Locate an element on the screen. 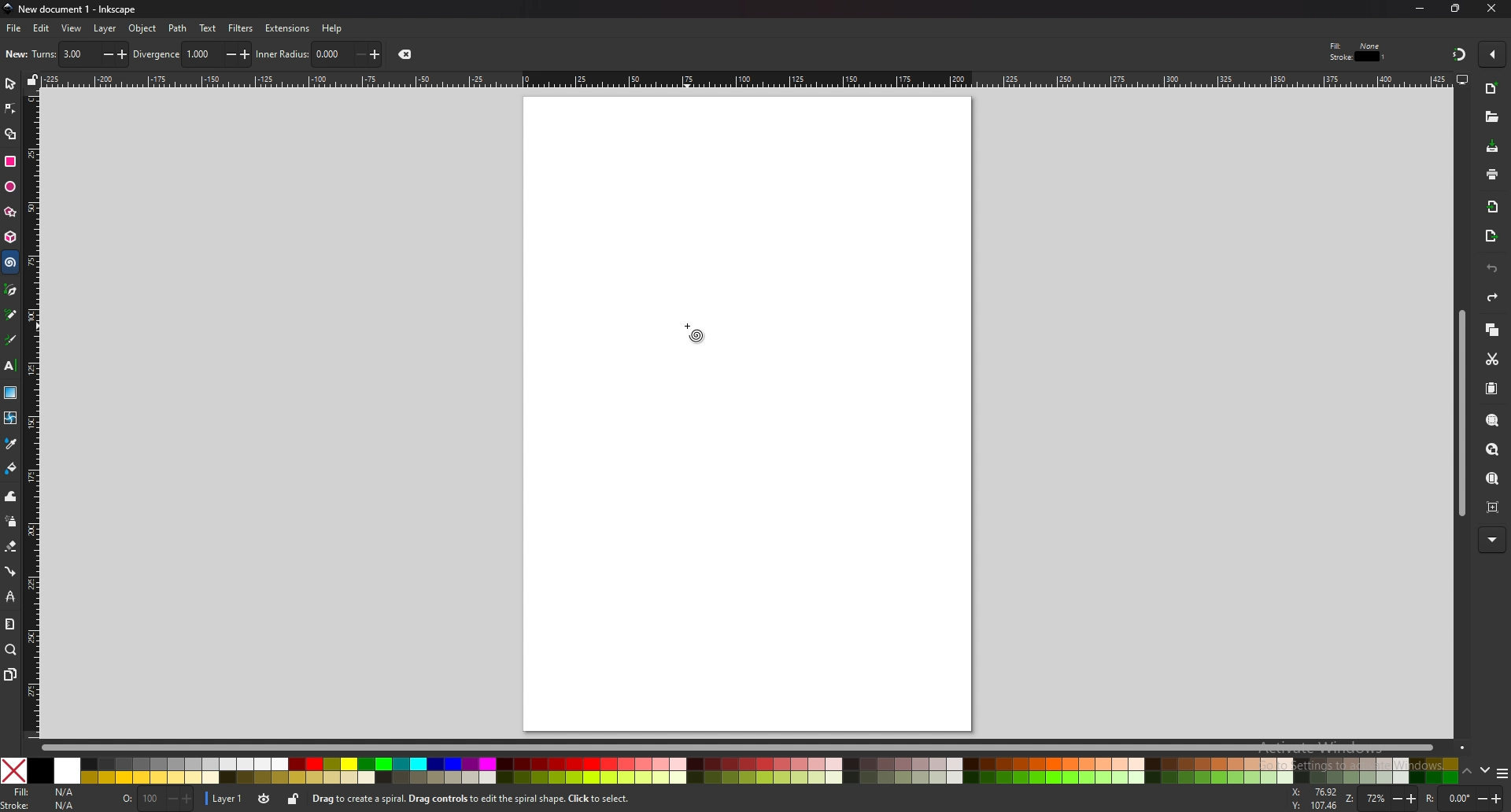  3d box is located at coordinates (10, 238).